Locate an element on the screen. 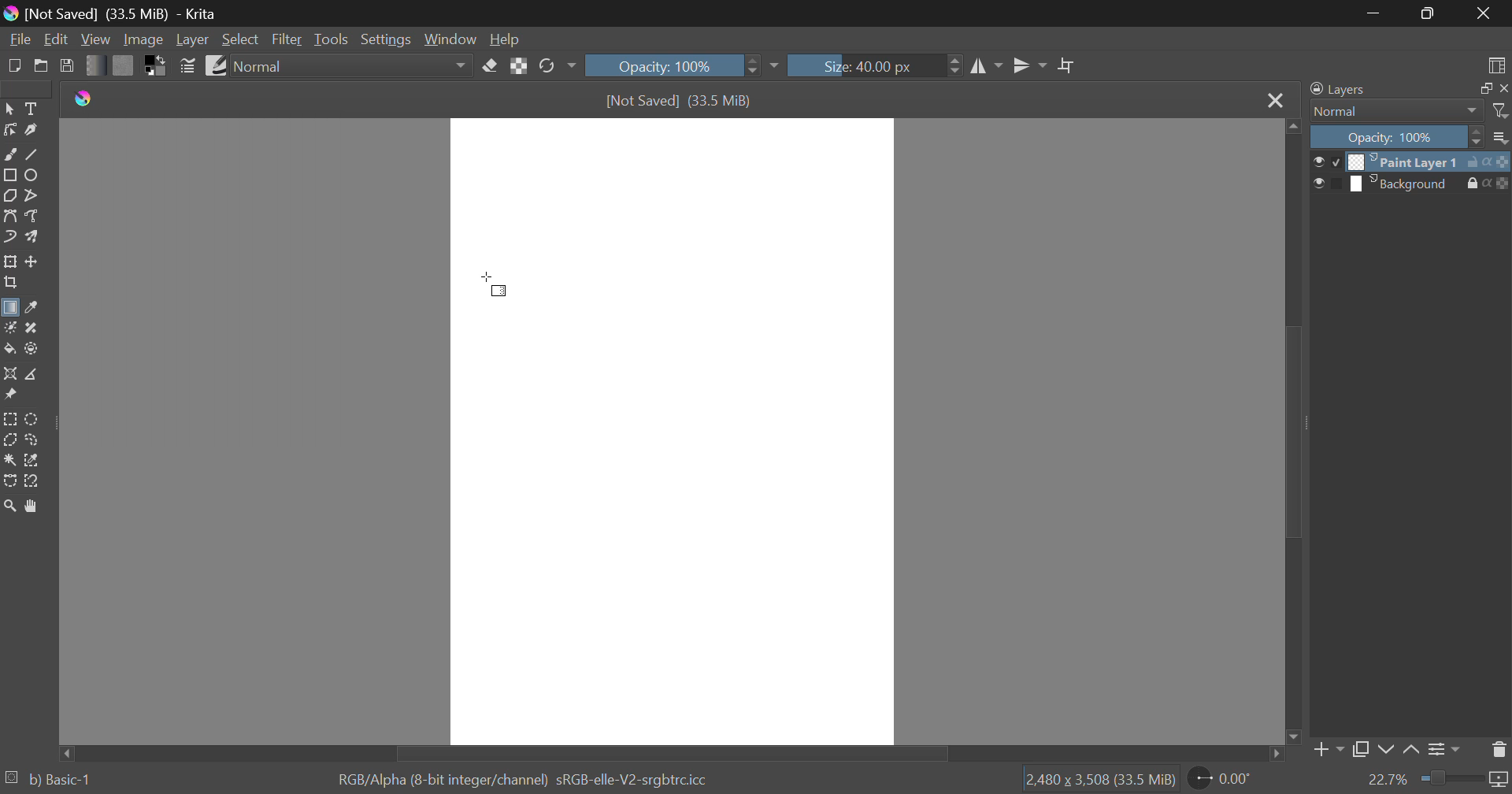  Similar Color Selection is located at coordinates (32, 461).